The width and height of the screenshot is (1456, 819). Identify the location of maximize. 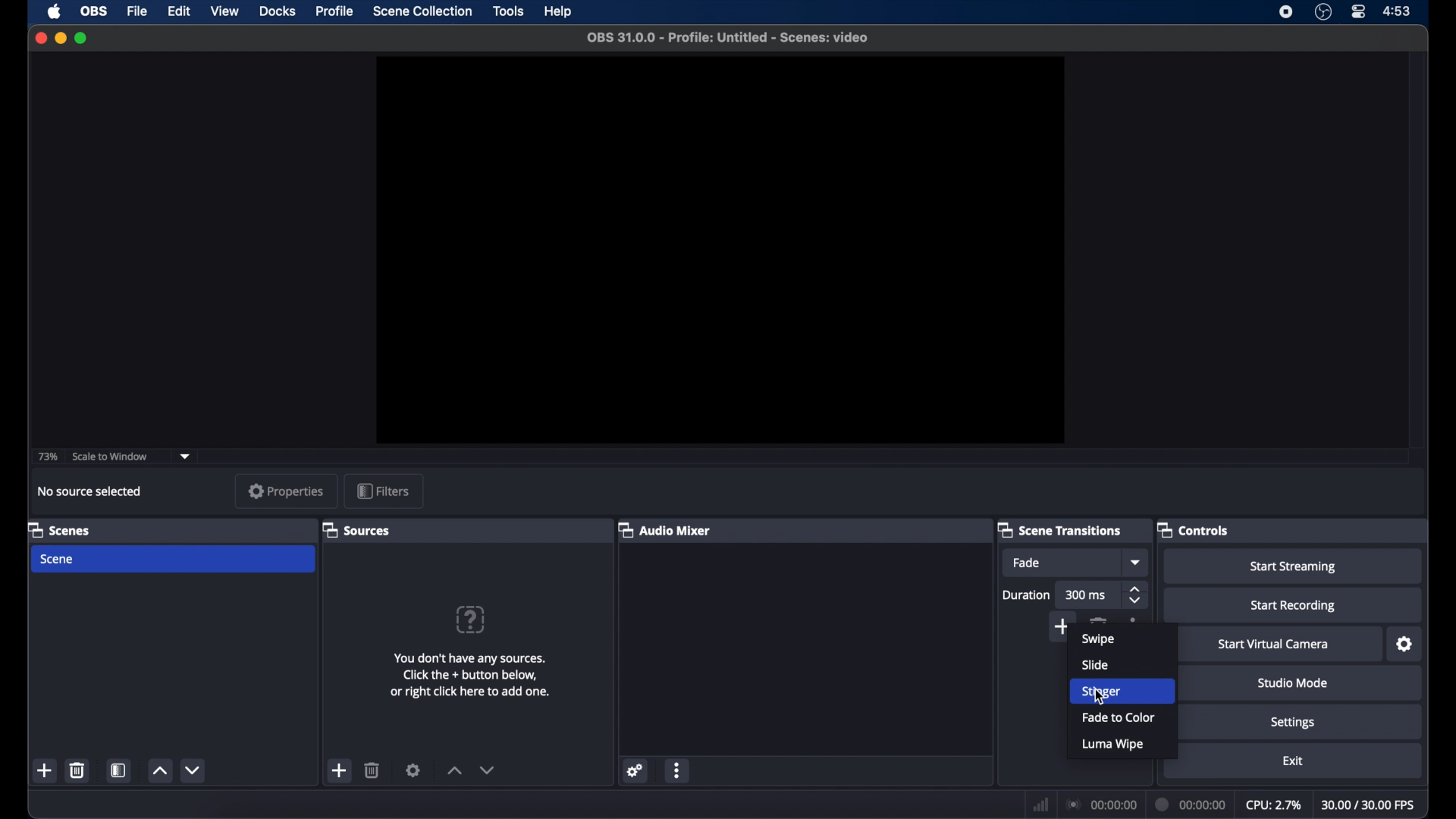
(82, 37).